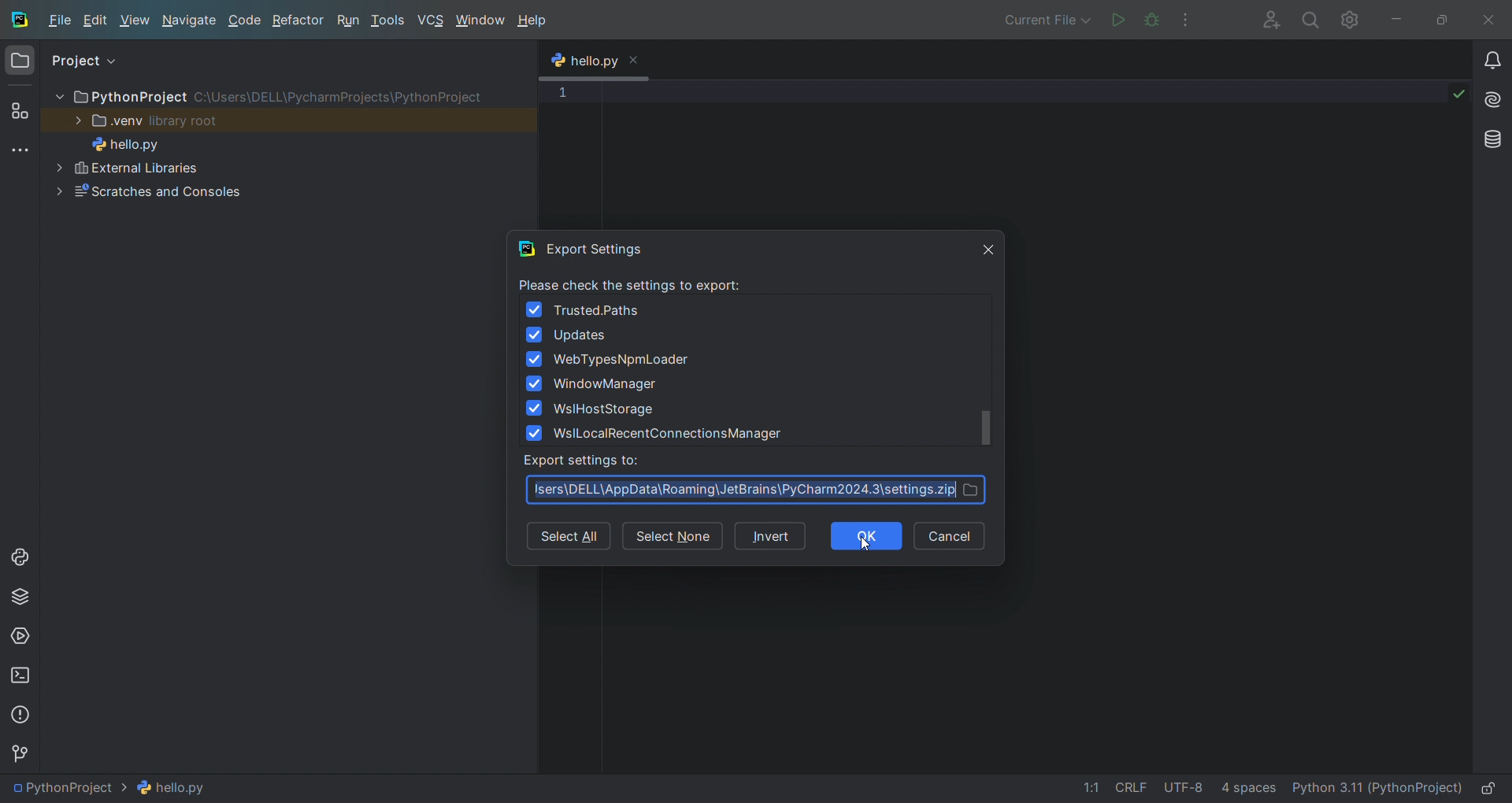  What do you see at coordinates (669, 435) in the screenshot?
I see `WslLocalRecentConnectionsManager` at bounding box center [669, 435].